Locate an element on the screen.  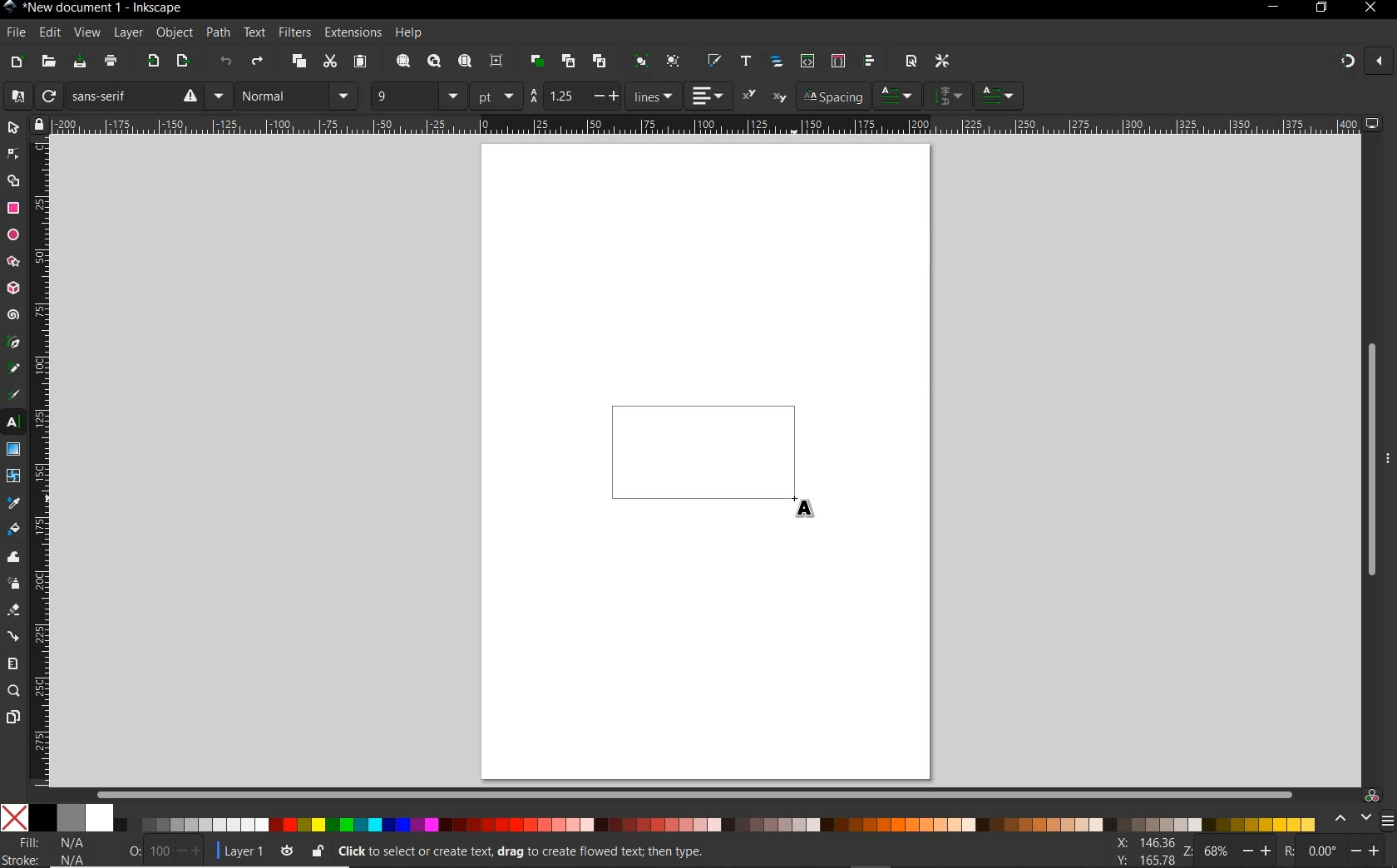
100 is located at coordinates (158, 851).